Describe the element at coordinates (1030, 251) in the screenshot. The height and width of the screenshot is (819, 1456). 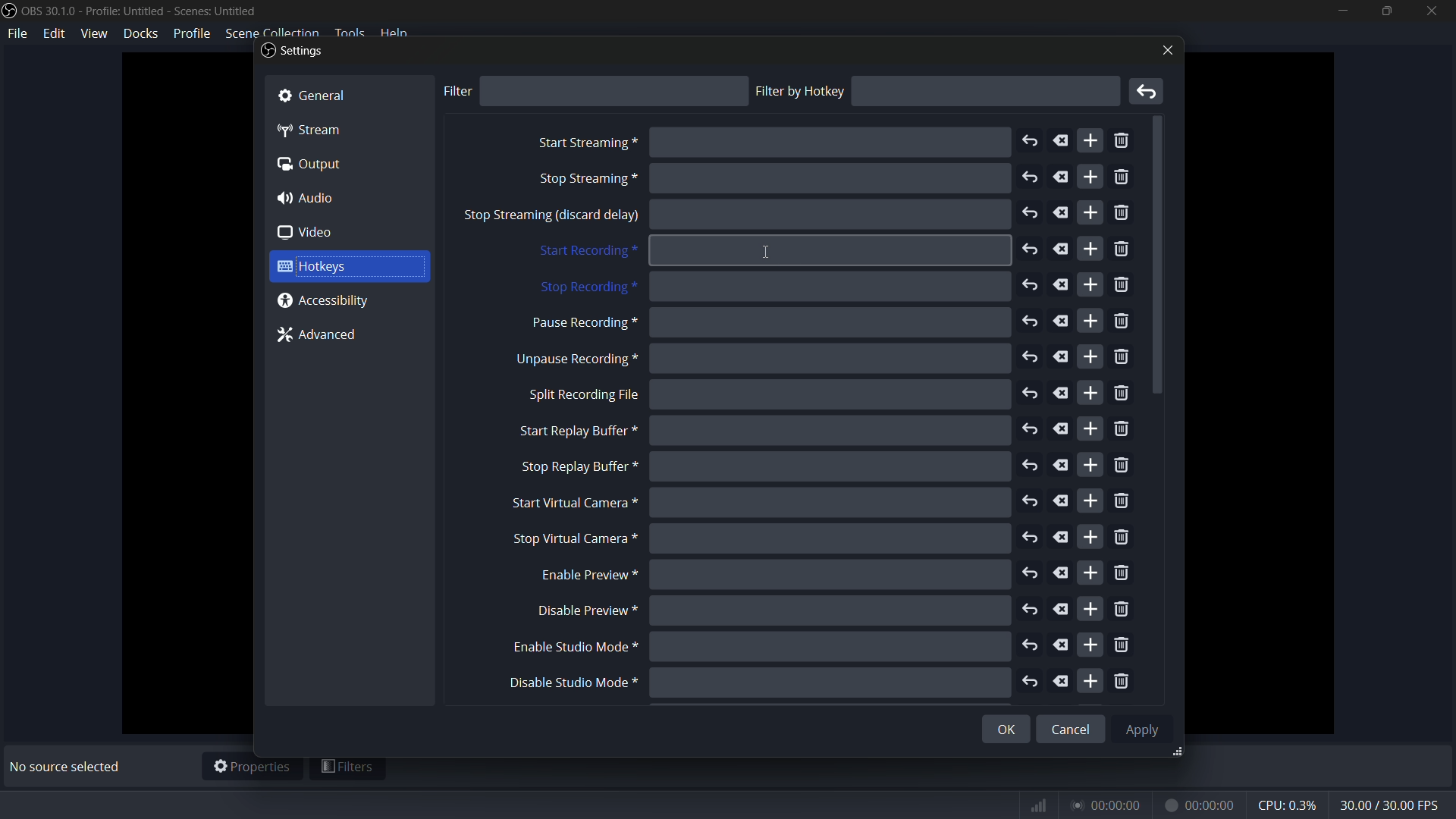
I see `undo` at that location.